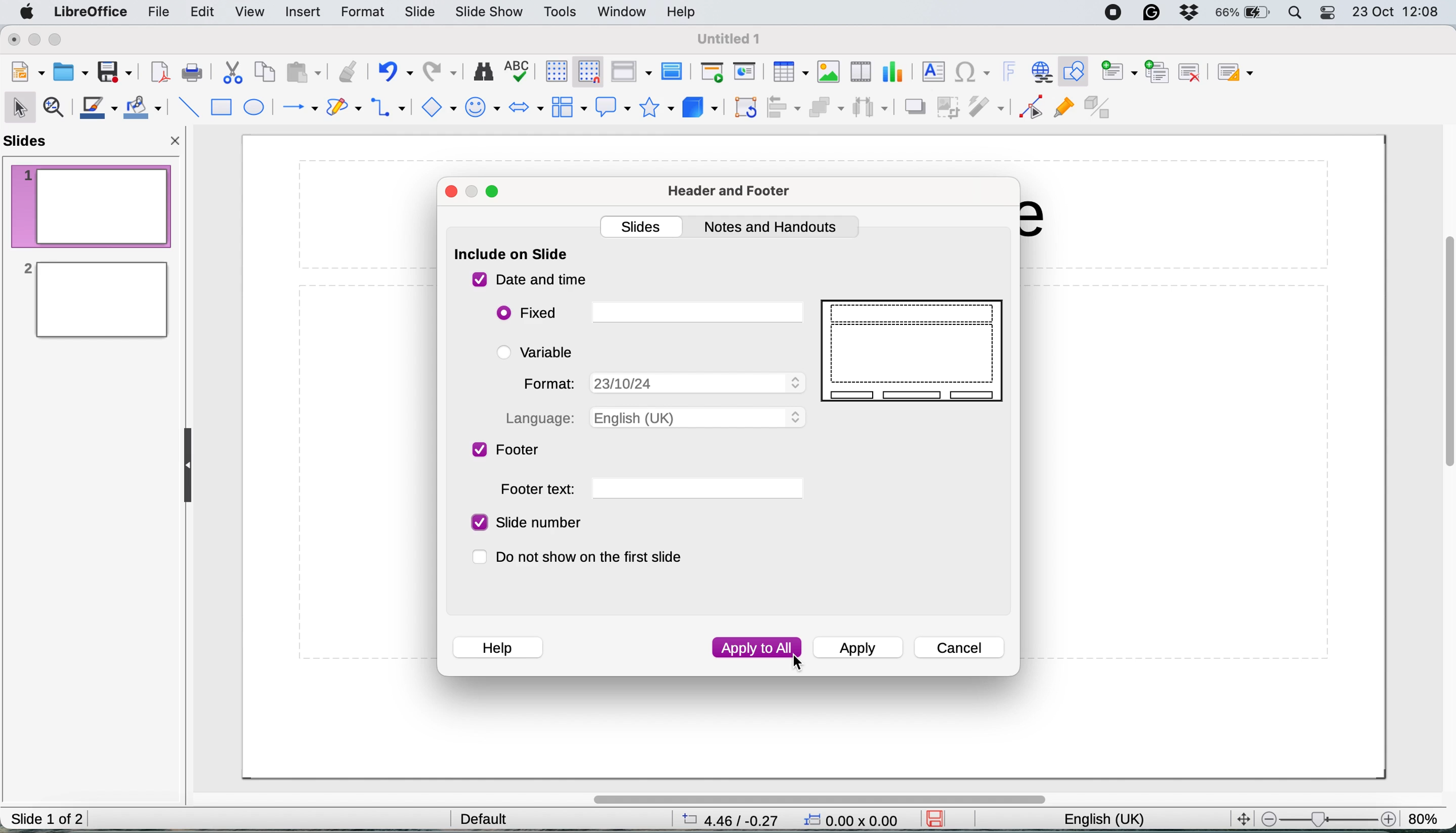 The width and height of the screenshot is (1456, 833). What do you see at coordinates (519, 69) in the screenshot?
I see `spelling` at bounding box center [519, 69].